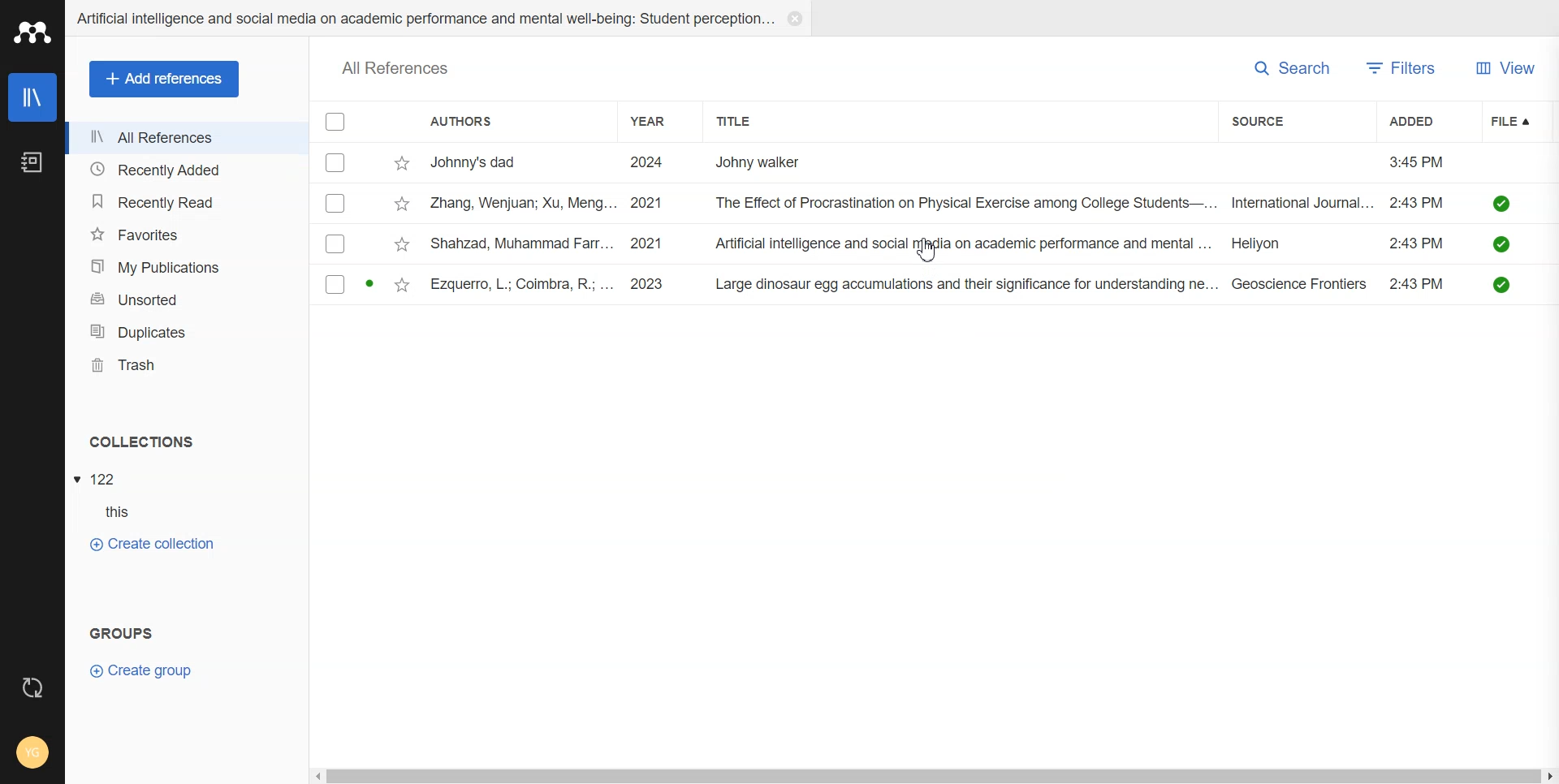 Image resolution: width=1559 pixels, height=784 pixels. I want to click on large dinosaur egg accumulations and their significance for understanding ne..., so click(969, 287).